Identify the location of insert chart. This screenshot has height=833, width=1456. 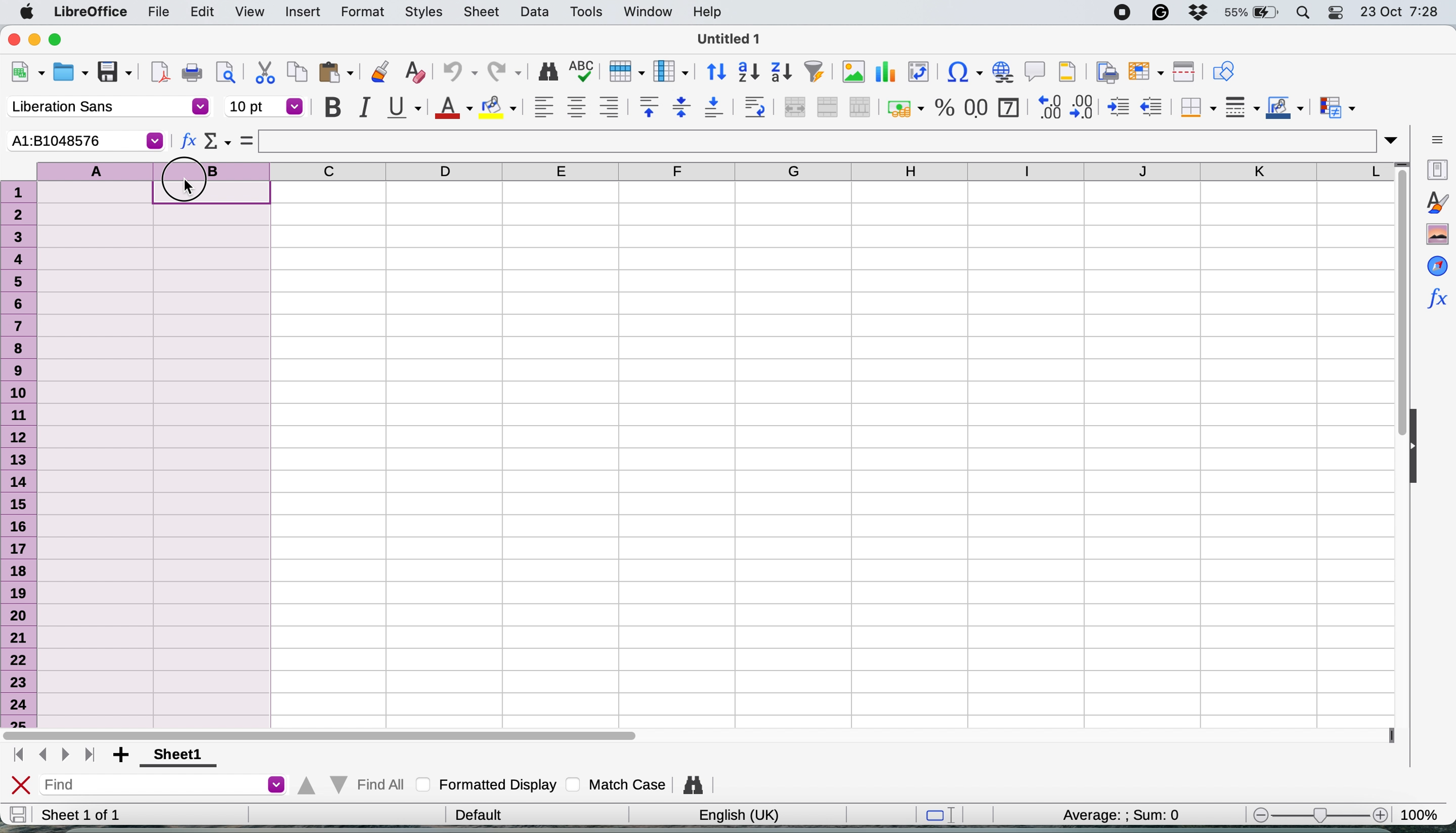
(852, 72).